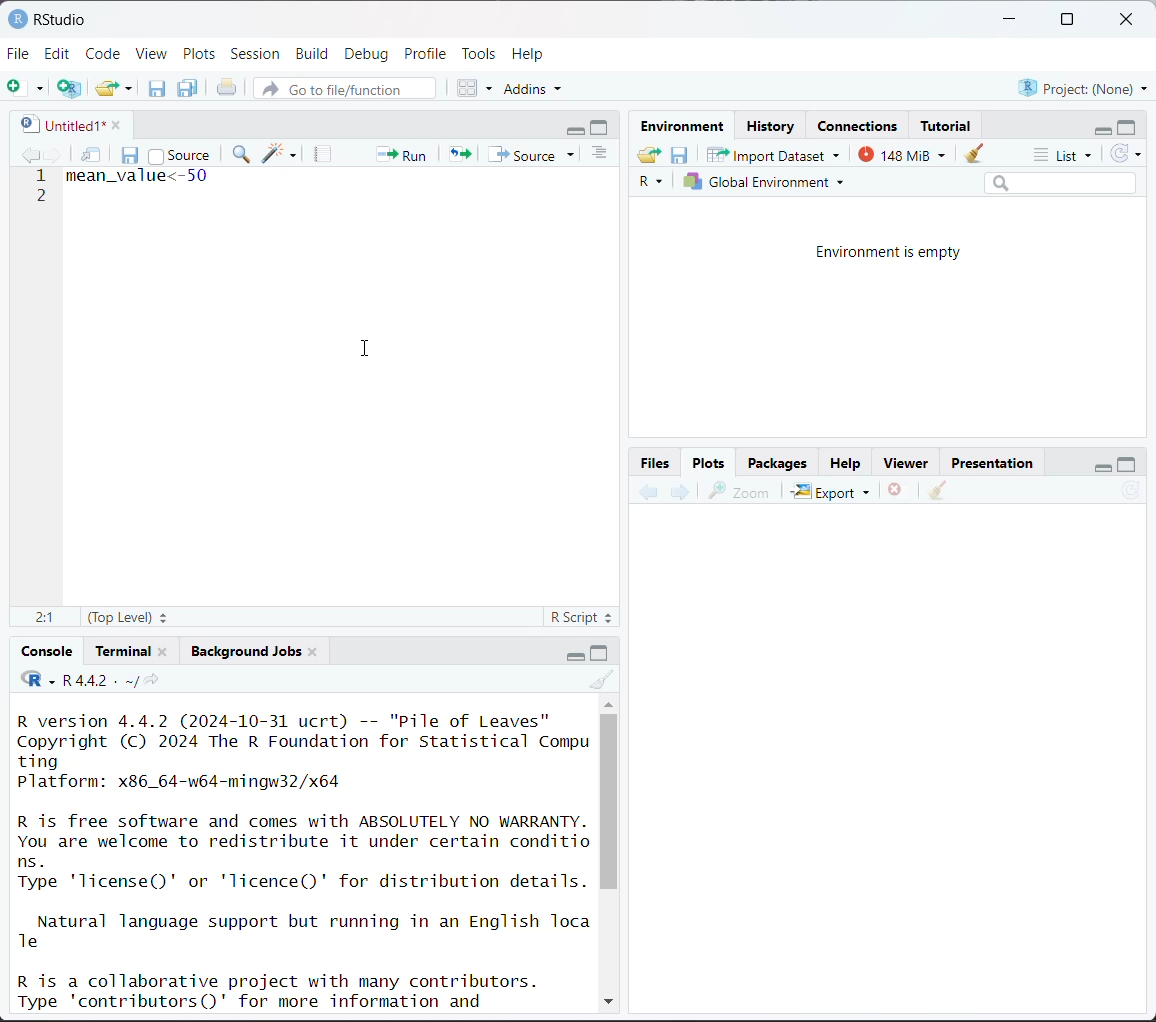  What do you see at coordinates (1131, 493) in the screenshot?
I see `refresh current plot` at bounding box center [1131, 493].